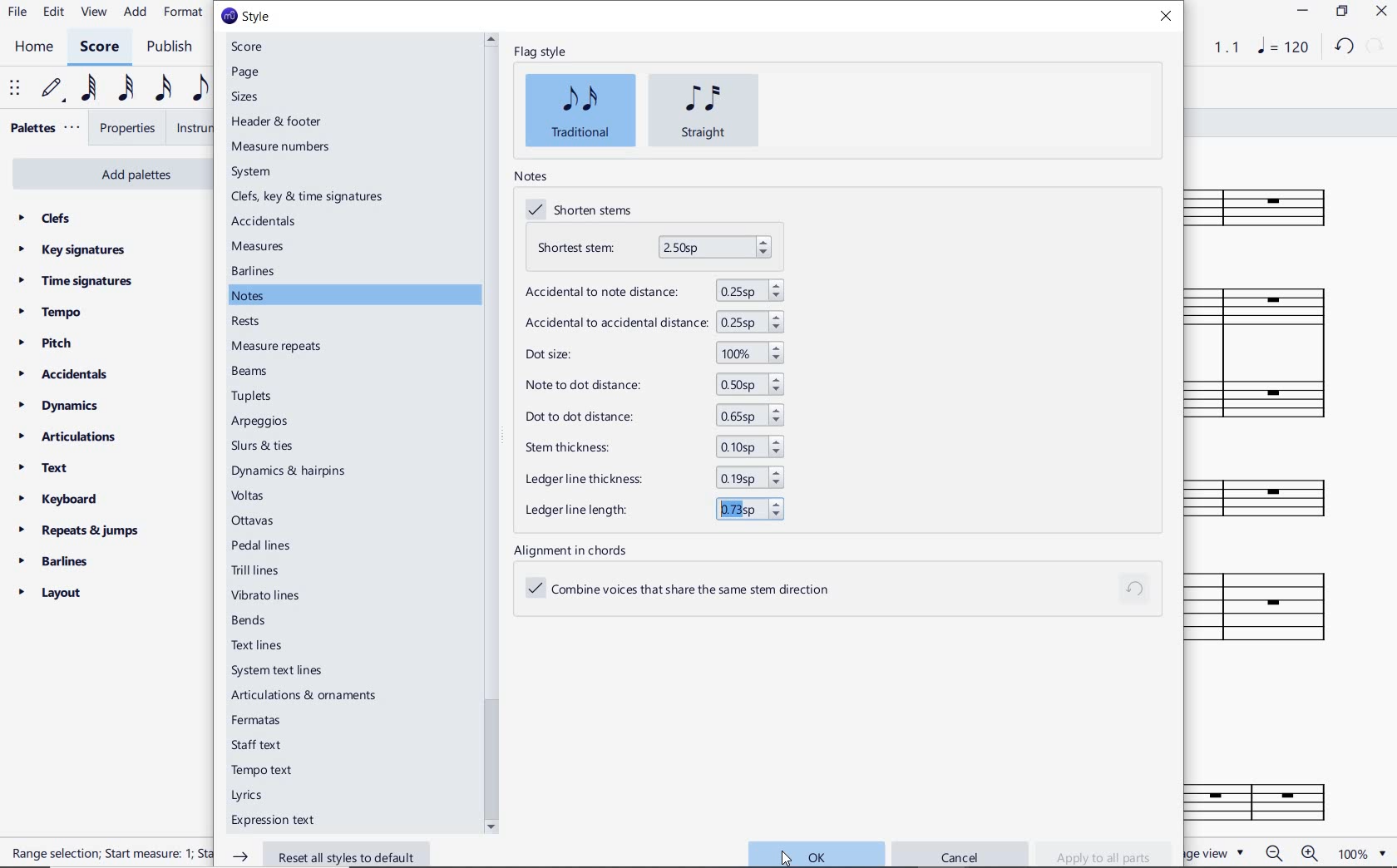  Describe the element at coordinates (1166, 17) in the screenshot. I see `close` at that location.